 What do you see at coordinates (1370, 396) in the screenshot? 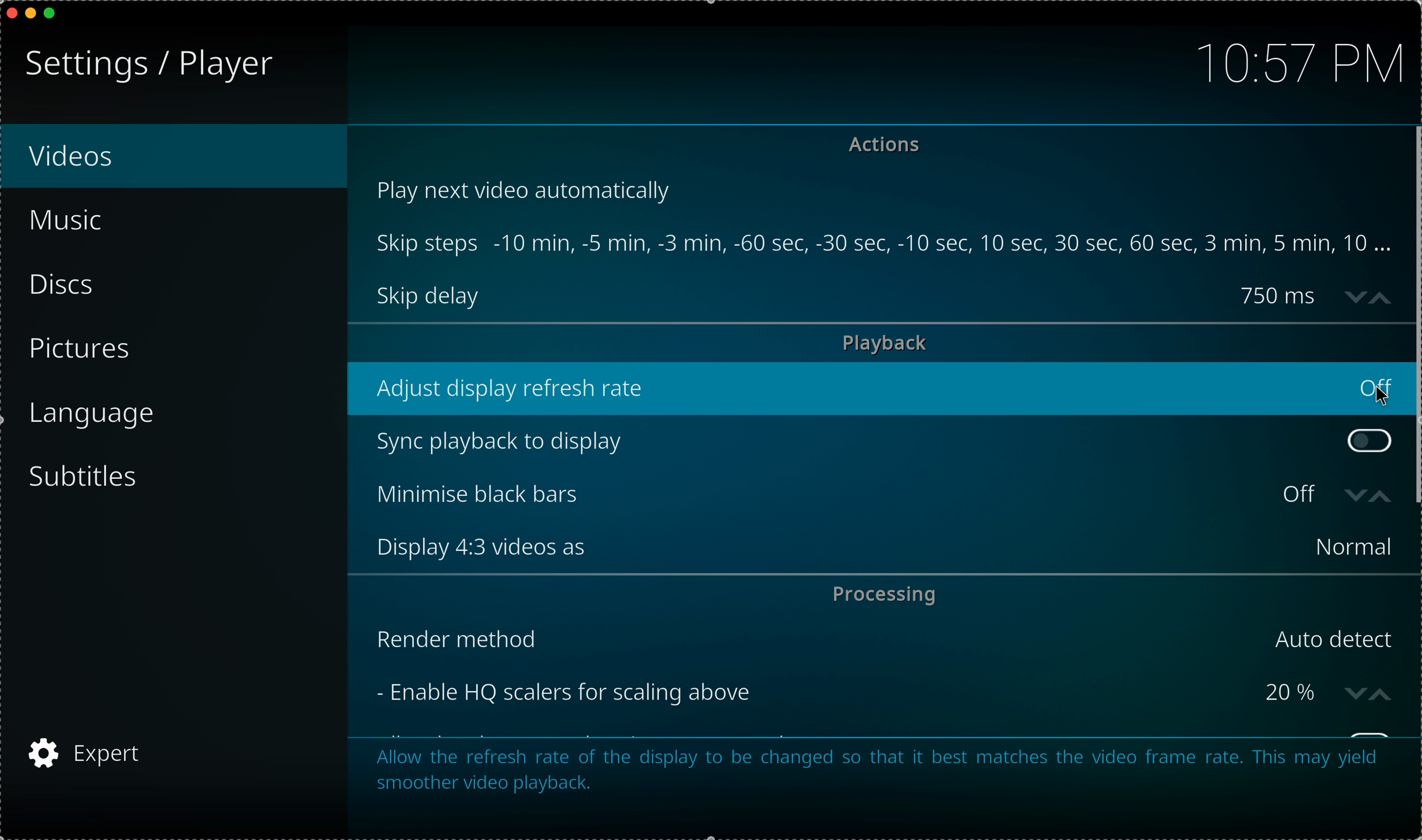
I see `Cursor` at bounding box center [1370, 396].